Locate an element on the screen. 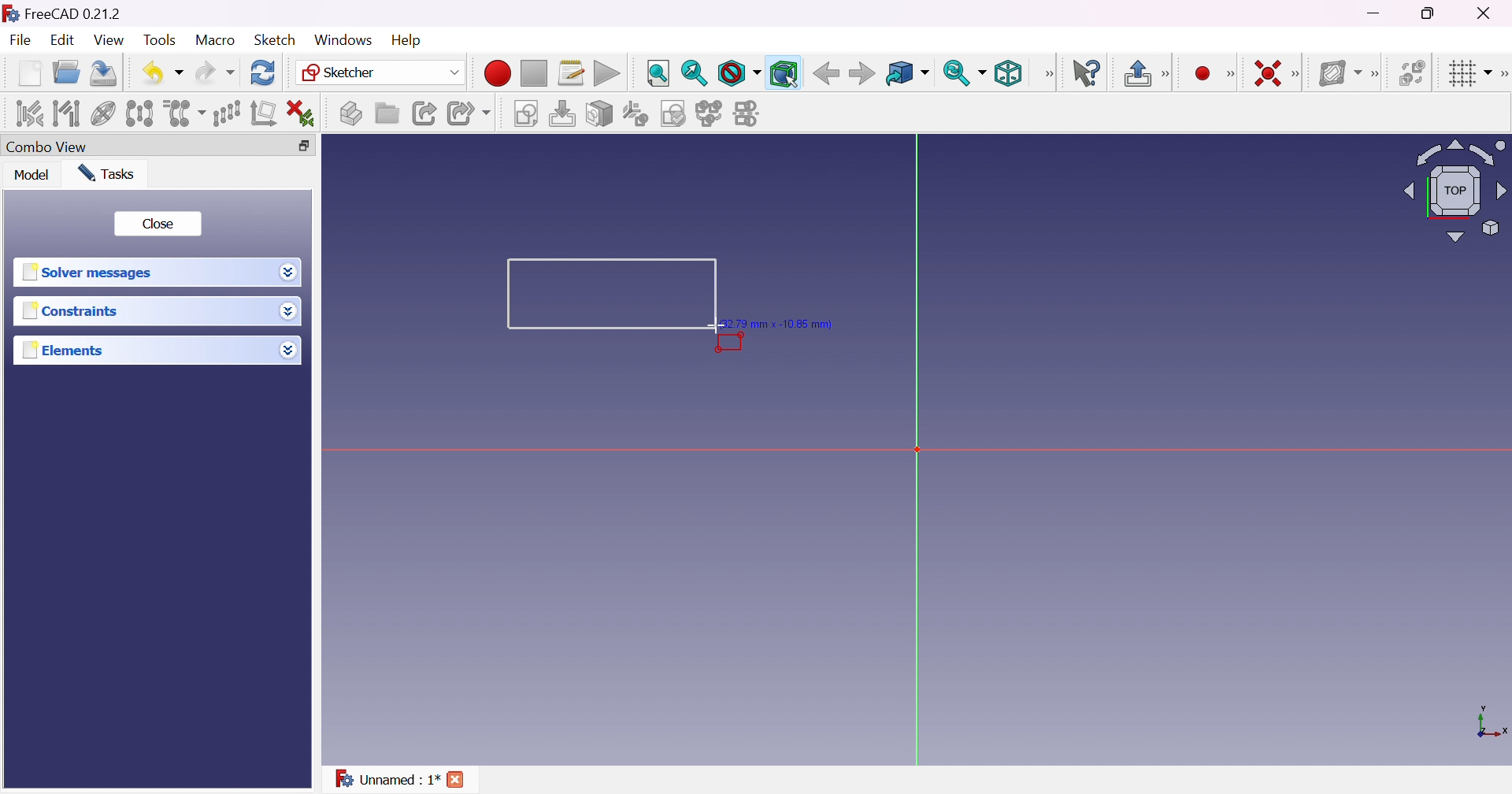  Rectangle is located at coordinates (613, 293).